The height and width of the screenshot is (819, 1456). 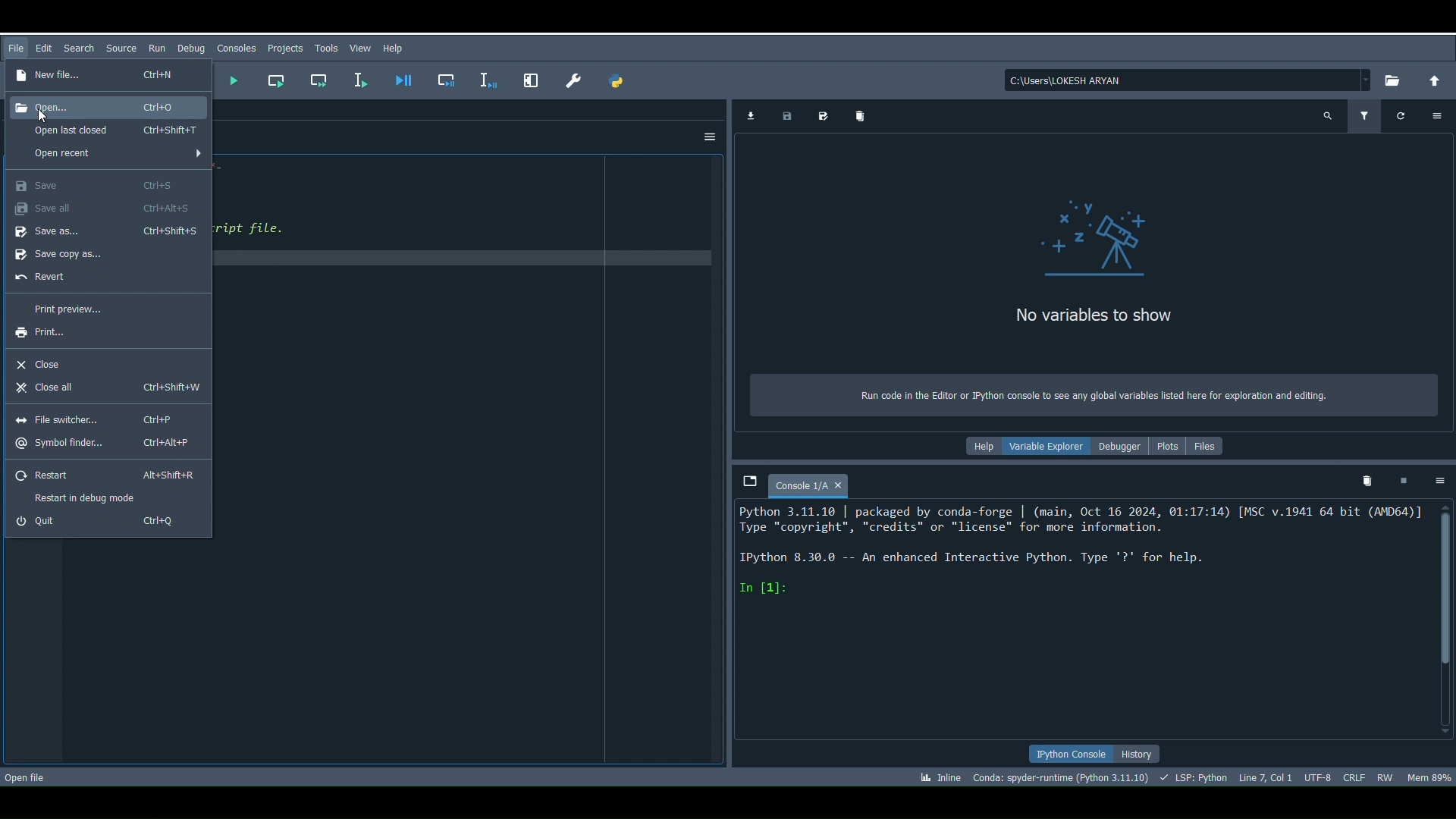 What do you see at coordinates (1319, 775) in the screenshot?
I see `Encoding` at bounding box center [1319, 775].